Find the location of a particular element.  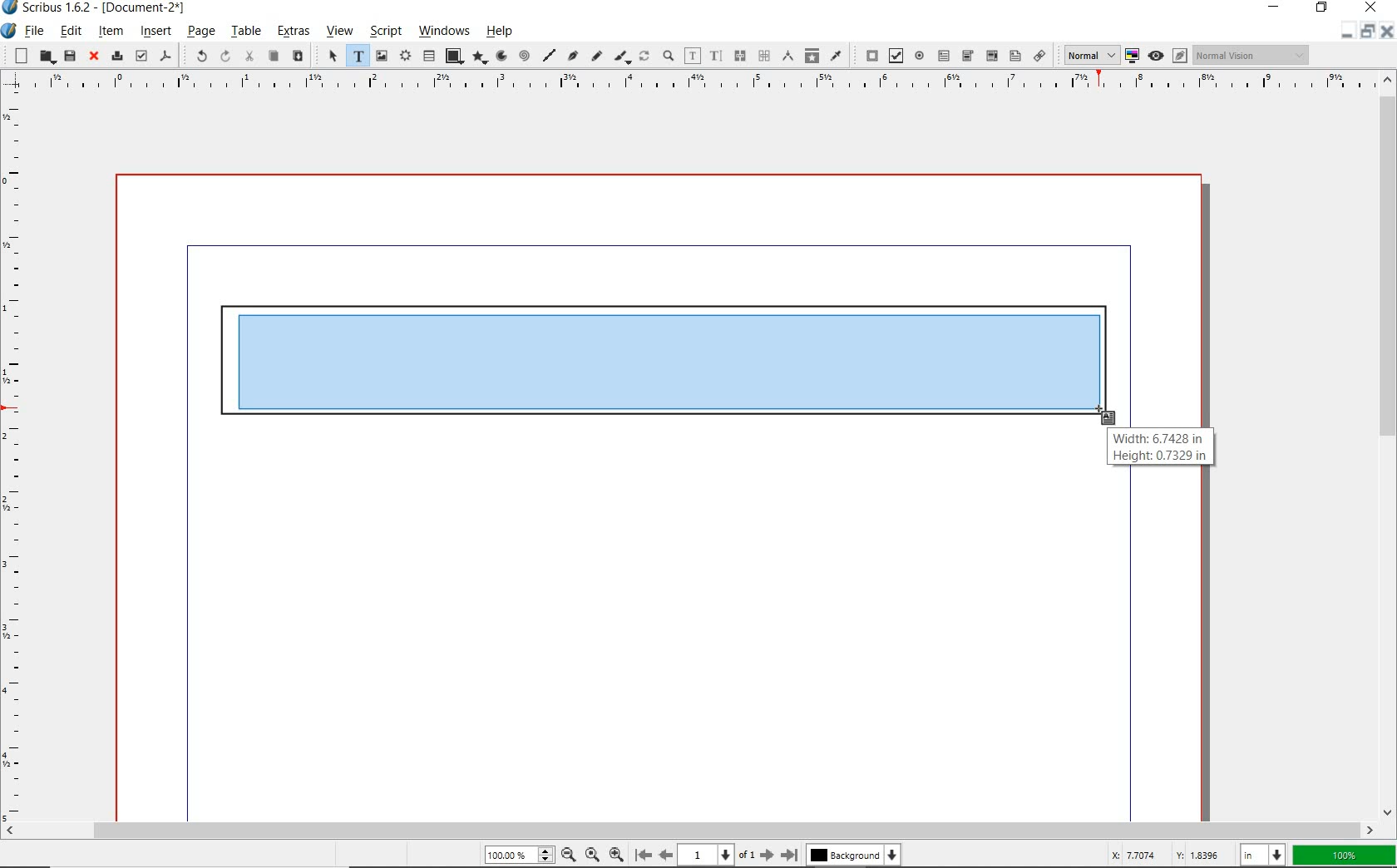

ruler is located at coordinates (692, 84).